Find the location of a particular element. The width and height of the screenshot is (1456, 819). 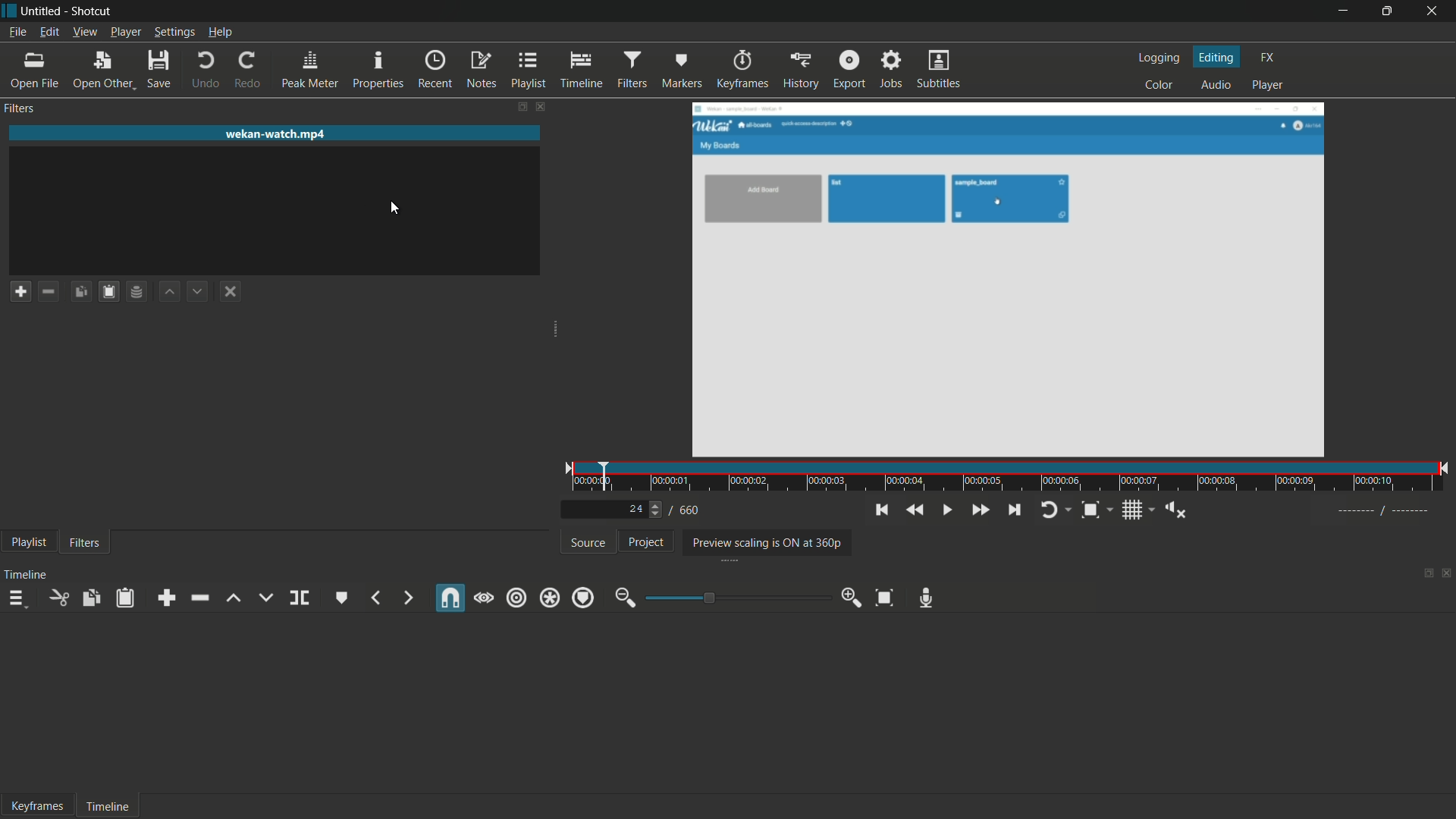

notes is located at coordinates (481, 69).